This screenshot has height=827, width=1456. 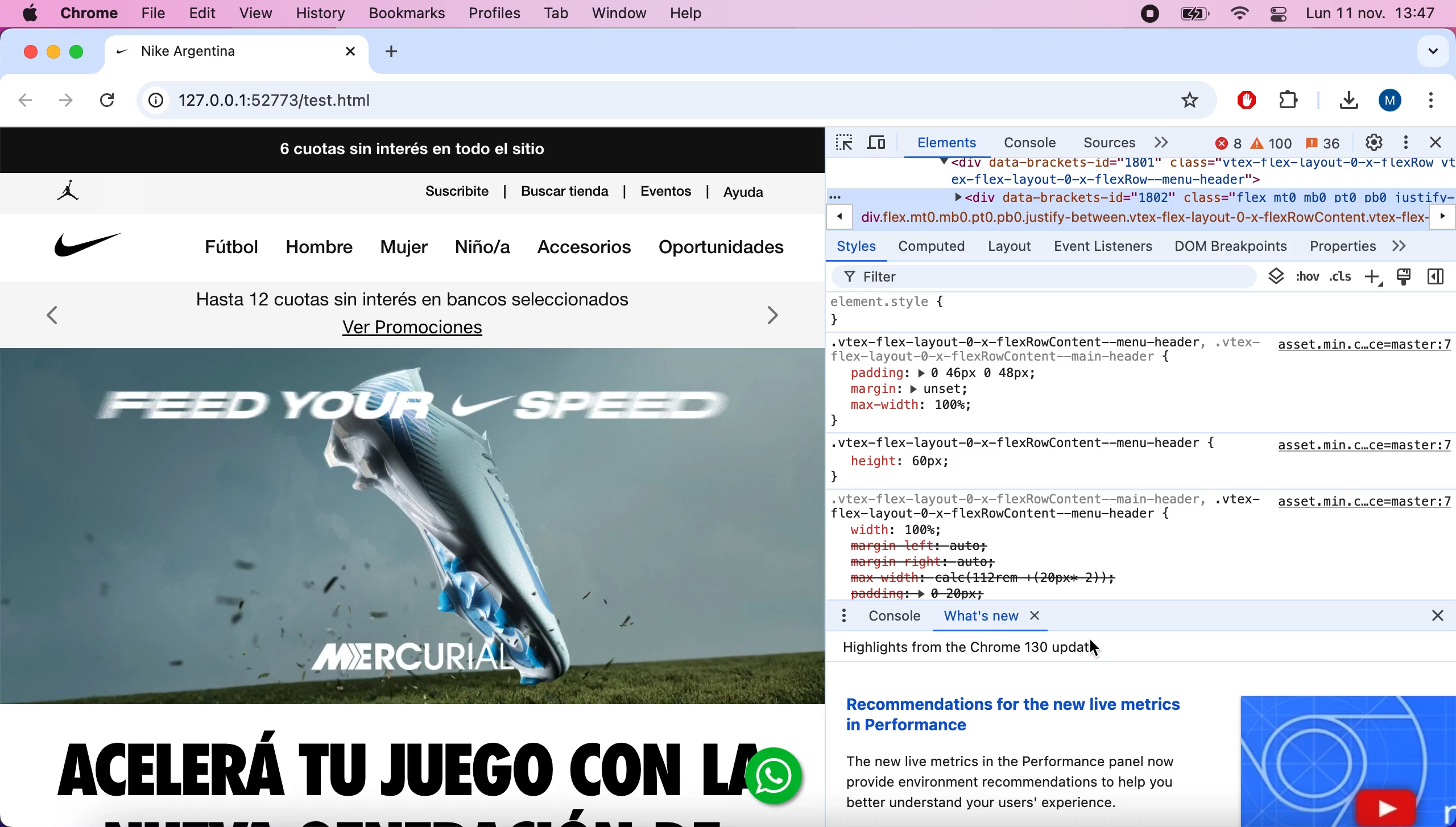 I want to click on Jordans Logo, so click(x=71, y=195).